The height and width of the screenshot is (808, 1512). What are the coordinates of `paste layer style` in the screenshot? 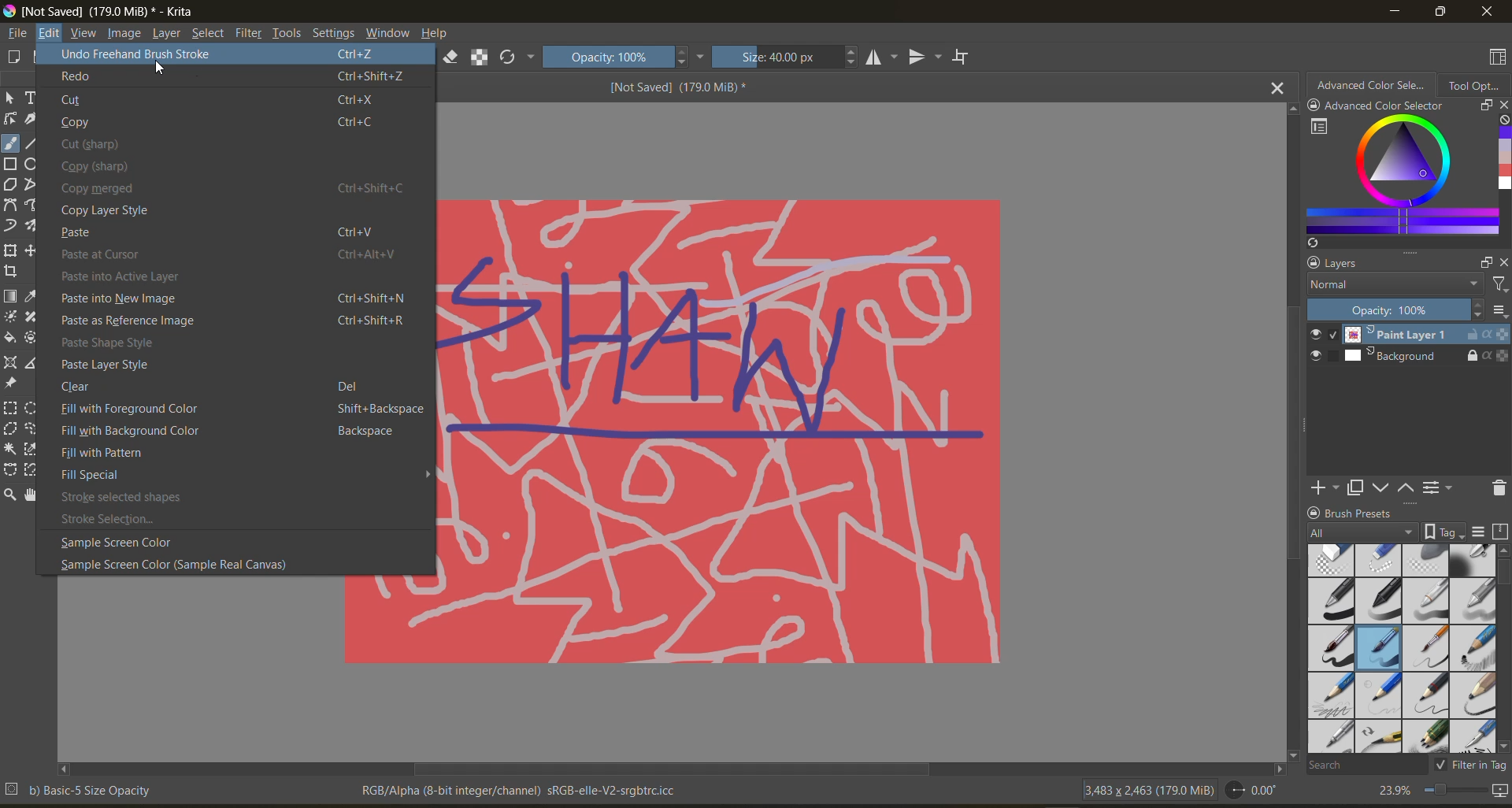 It's located at (113, 365).